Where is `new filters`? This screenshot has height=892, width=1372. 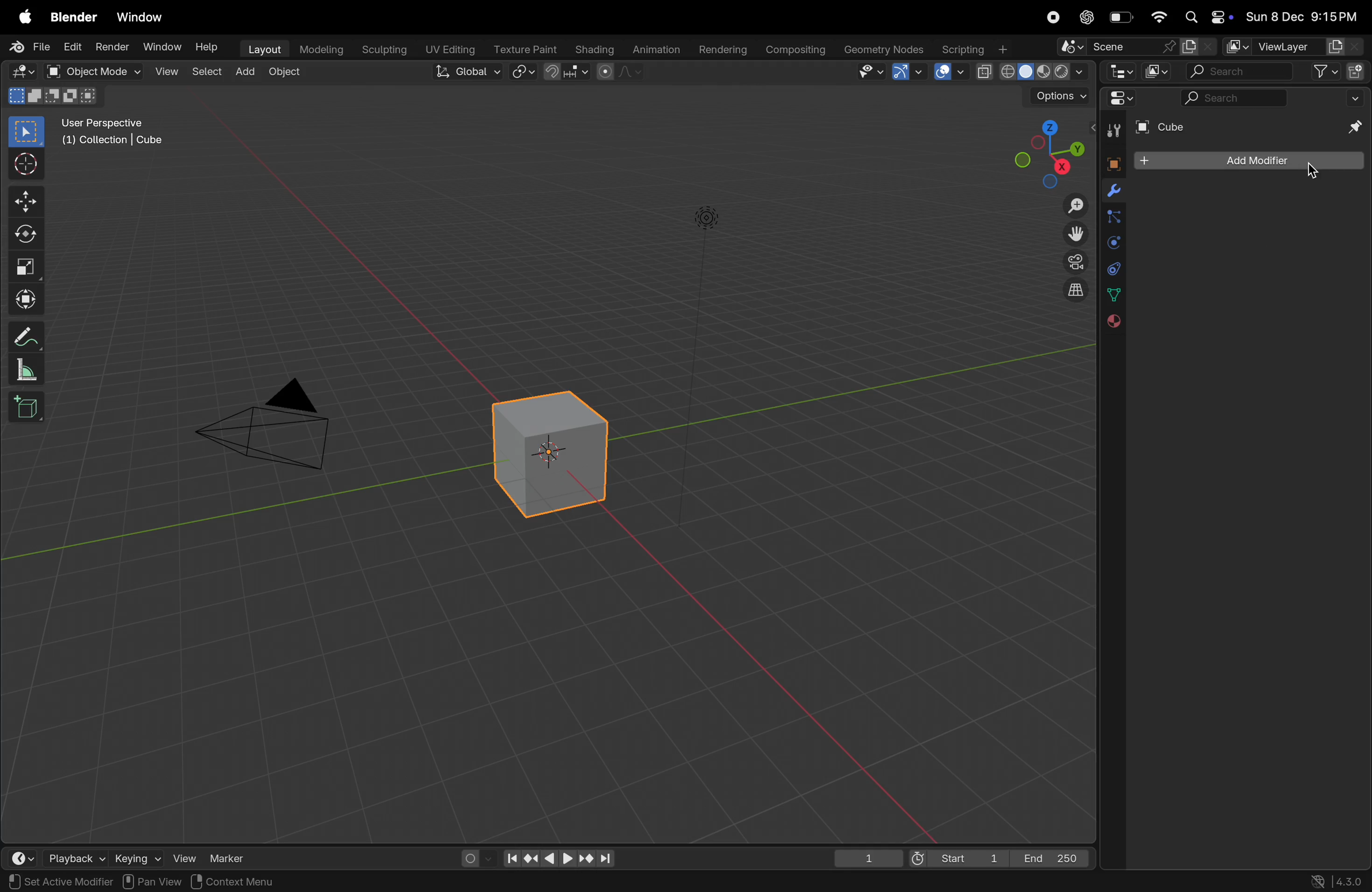 new filters is located at coordinates (1318, 72).